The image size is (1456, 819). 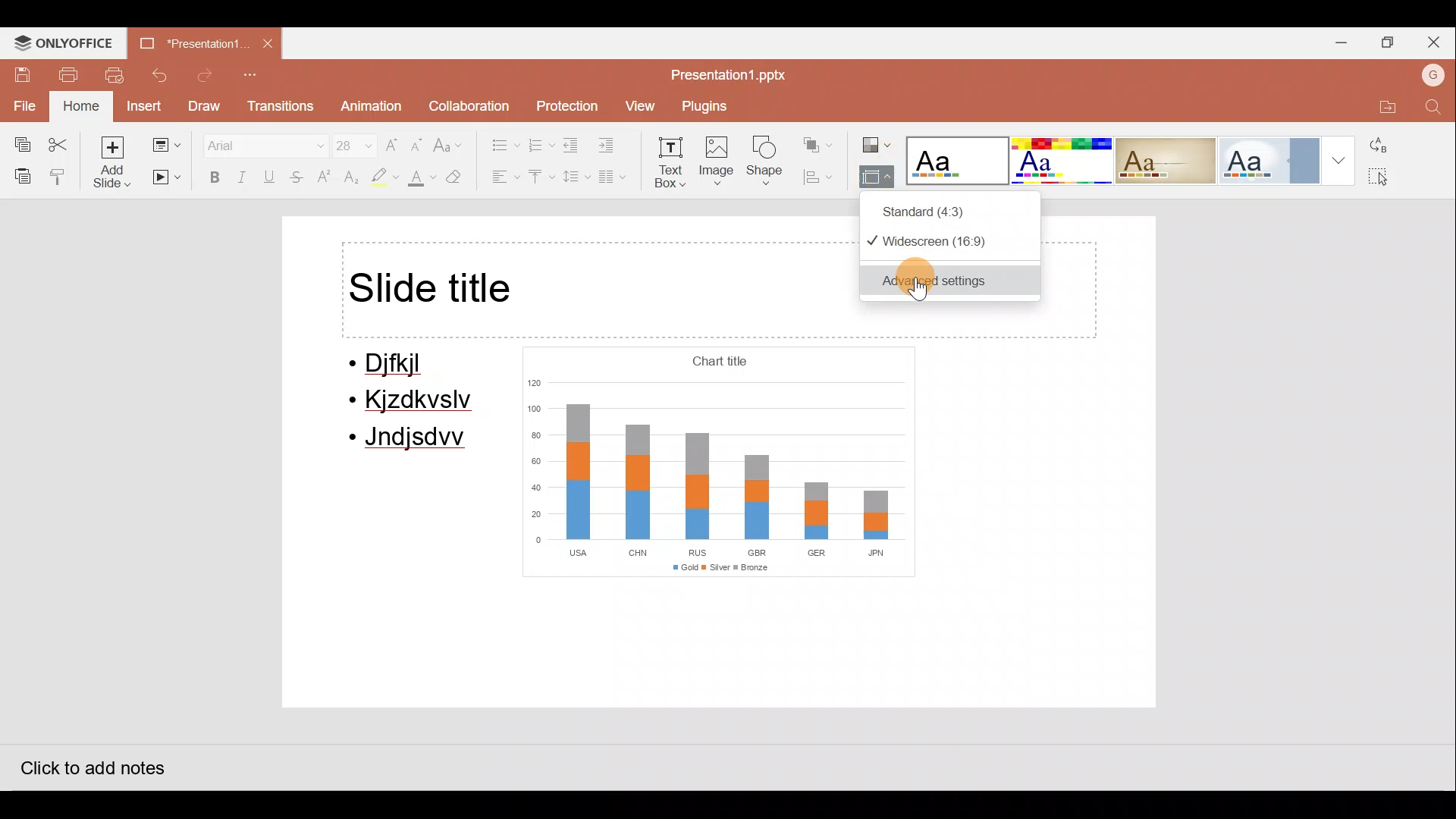 I want to click on Bullets, so click(x=497, y=141).